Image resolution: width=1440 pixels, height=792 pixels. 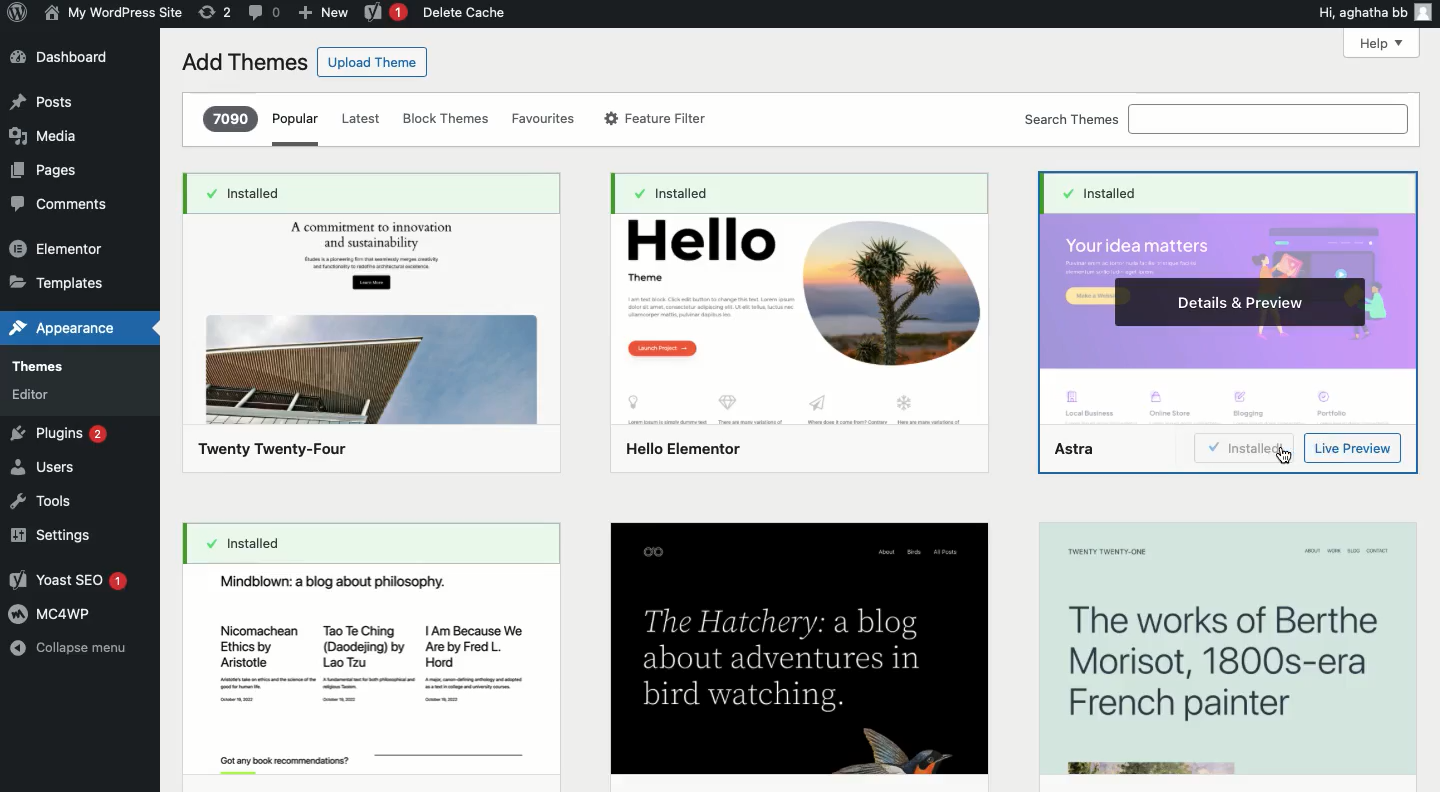 What do you see at coordinates (217, 11) in the screenshot?
I see `Revision` at bounding box center [217, 11].